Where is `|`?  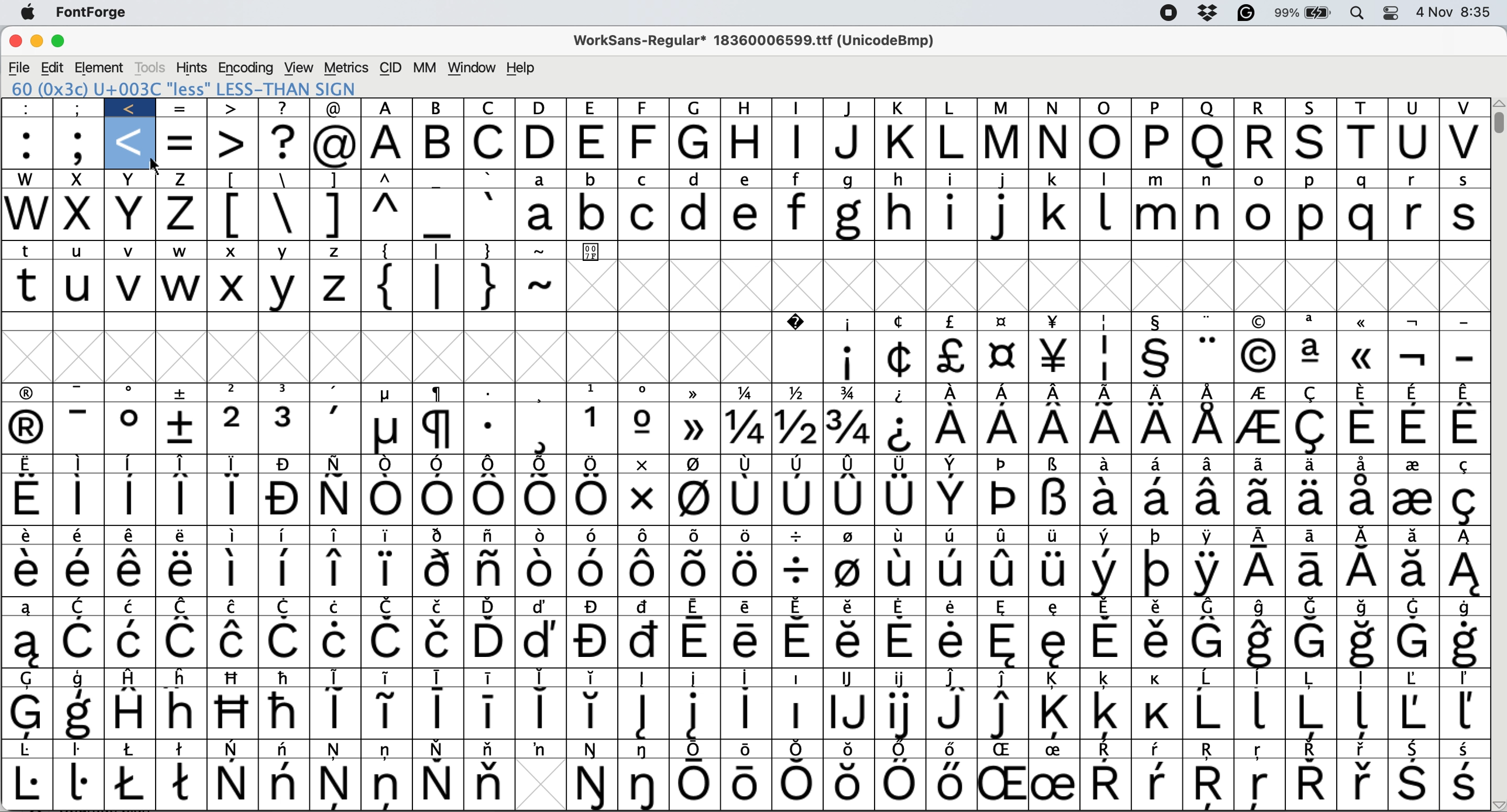 | is located at coordinates (442, 251).